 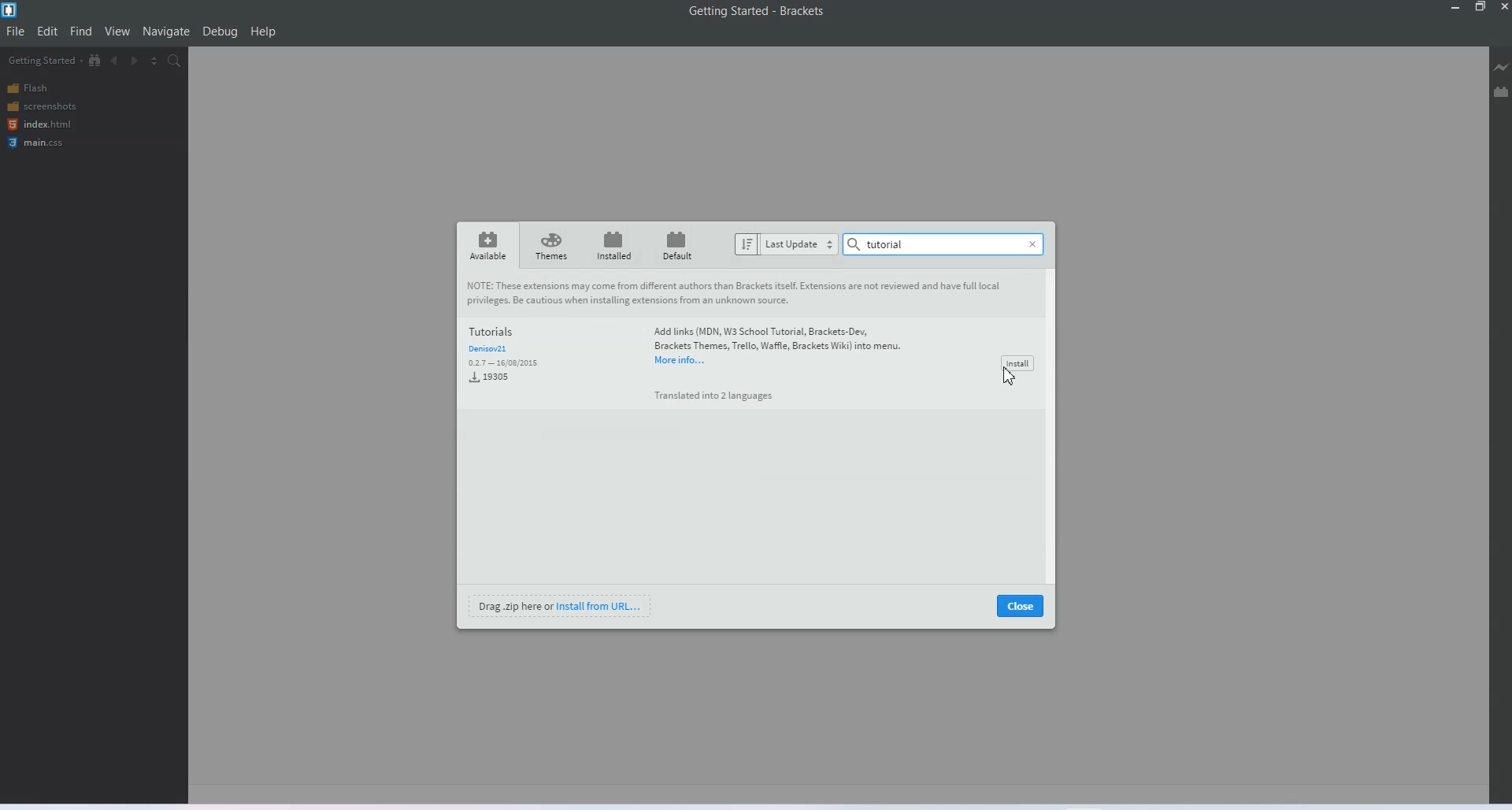 I want to click on Live Preview, so click(x=1499, y=67).